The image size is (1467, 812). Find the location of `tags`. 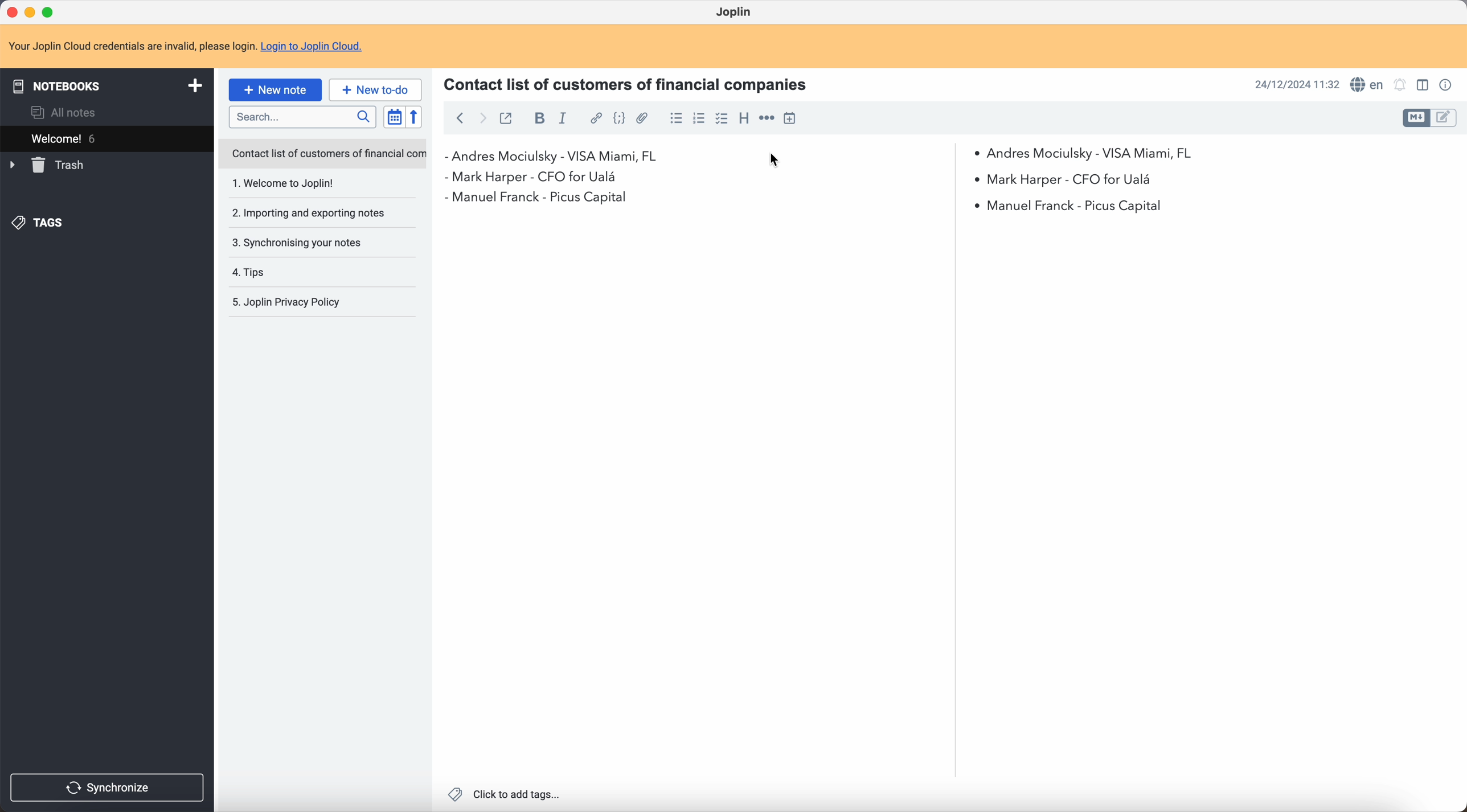

tags is located at coordinates (40, 223).